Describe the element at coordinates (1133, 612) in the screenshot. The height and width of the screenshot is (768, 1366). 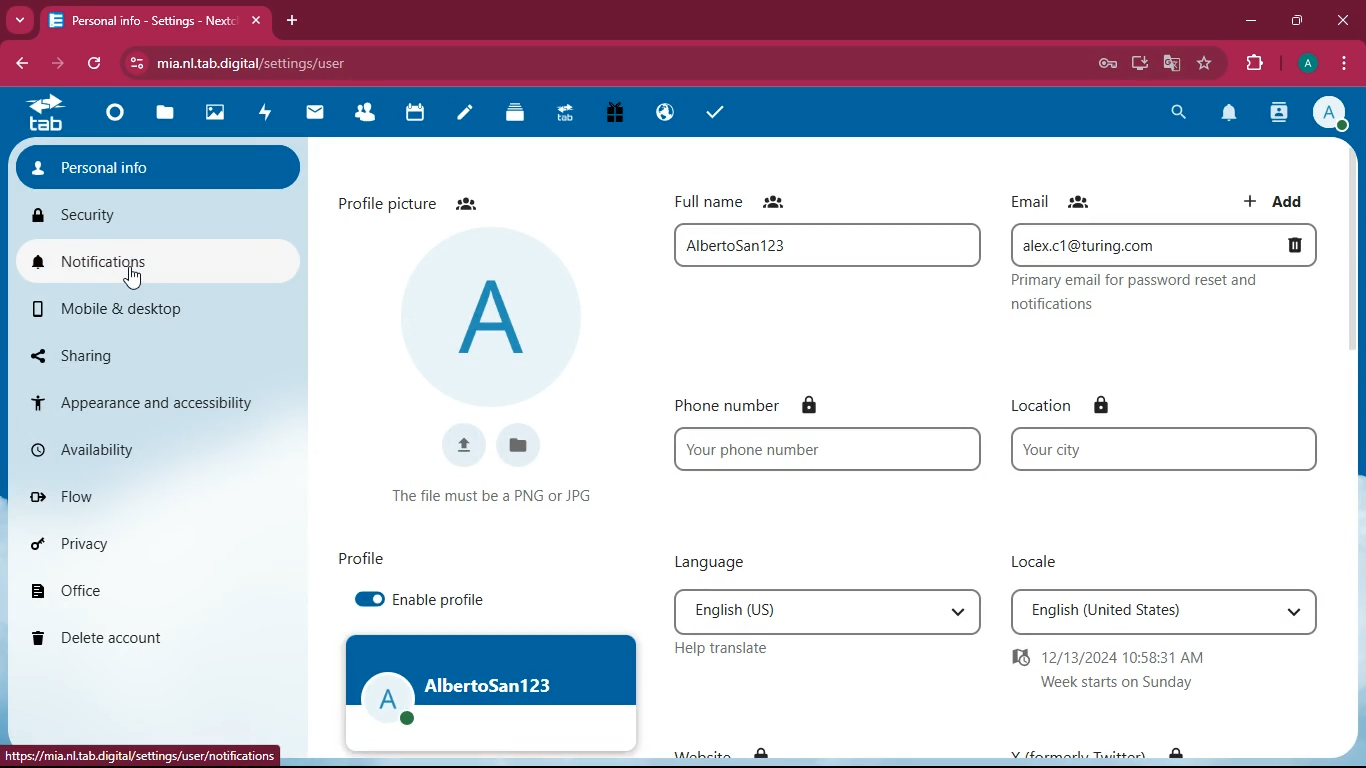
I see `English (United States)` at that location.